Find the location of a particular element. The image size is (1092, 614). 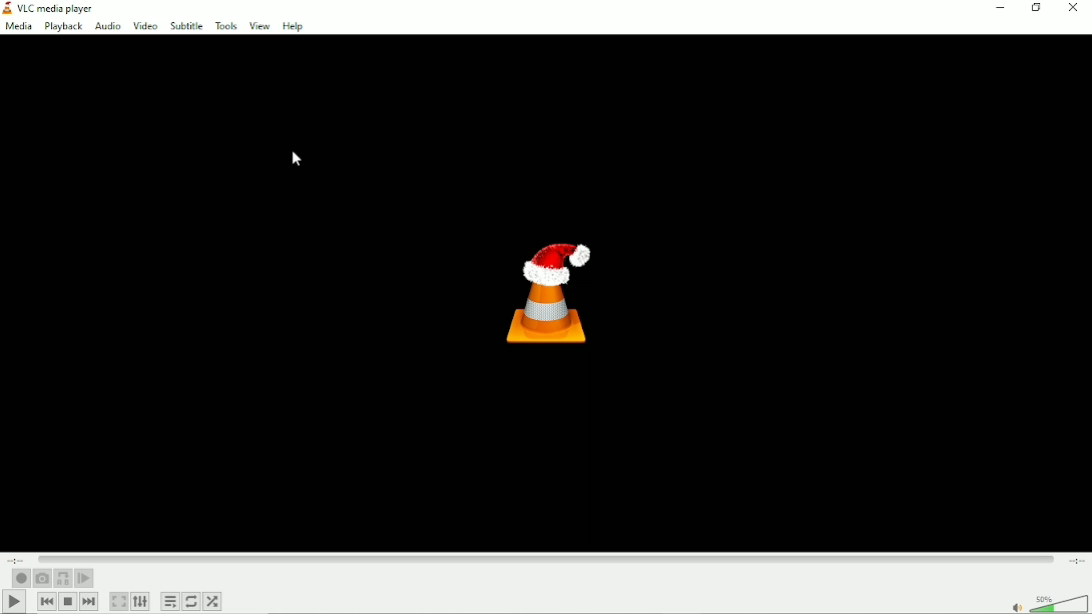

Media is located at coordinates (20, 26).